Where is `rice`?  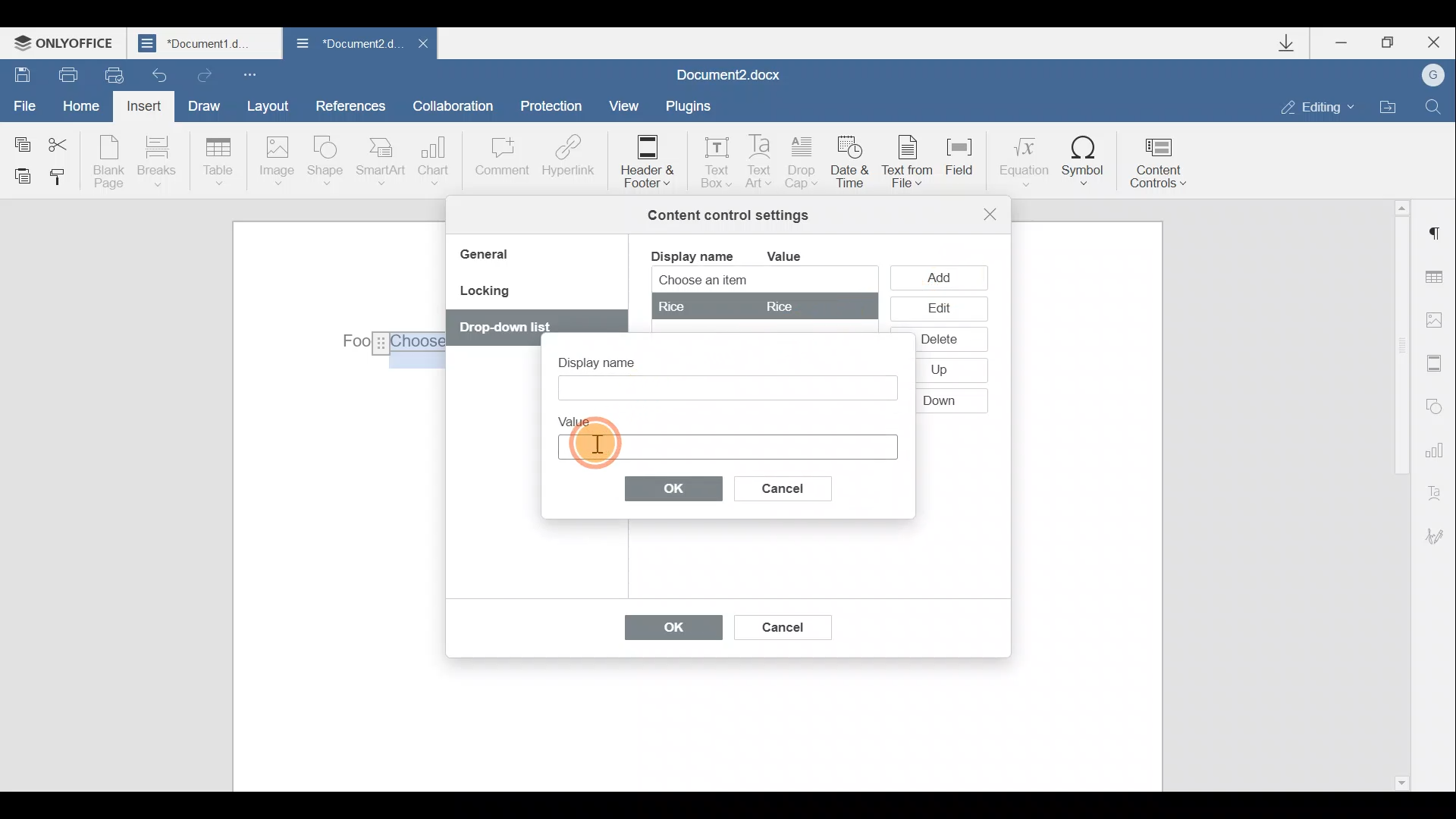
rice is located at coordinates (763, 306).